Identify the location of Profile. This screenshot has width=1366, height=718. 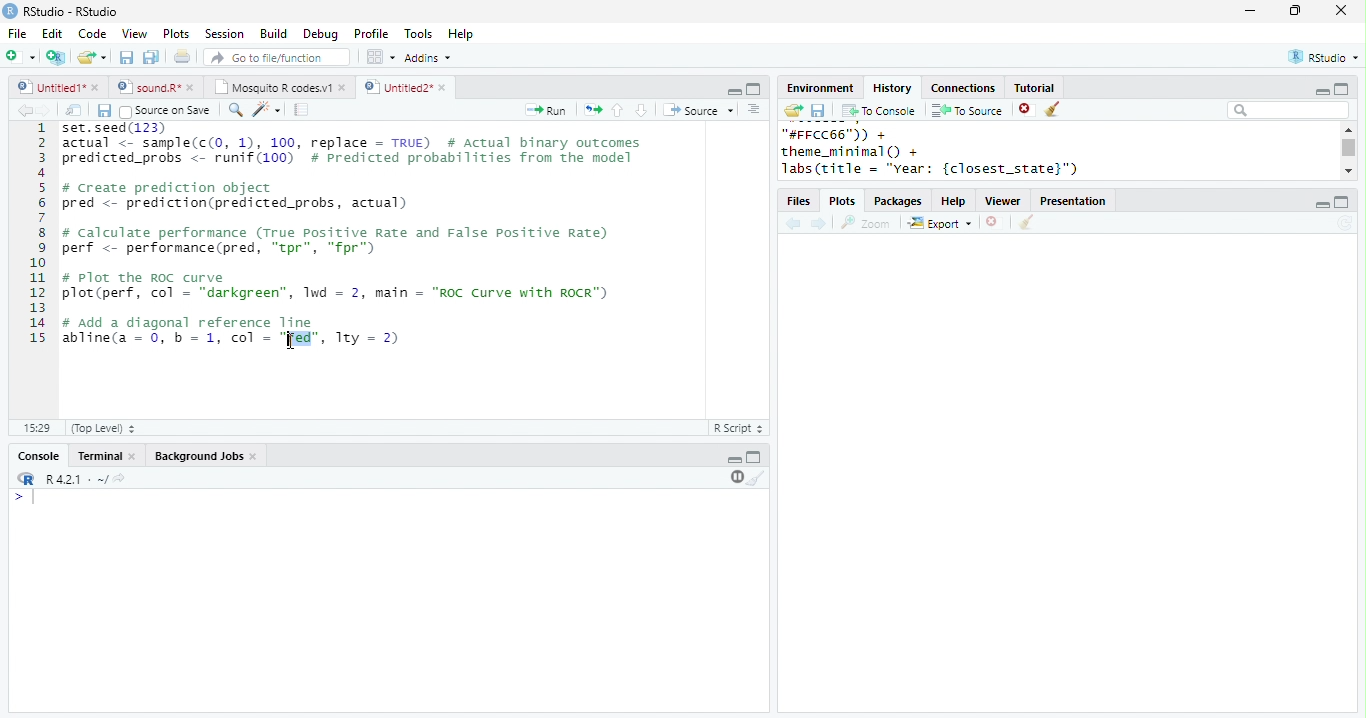
(371, 33).